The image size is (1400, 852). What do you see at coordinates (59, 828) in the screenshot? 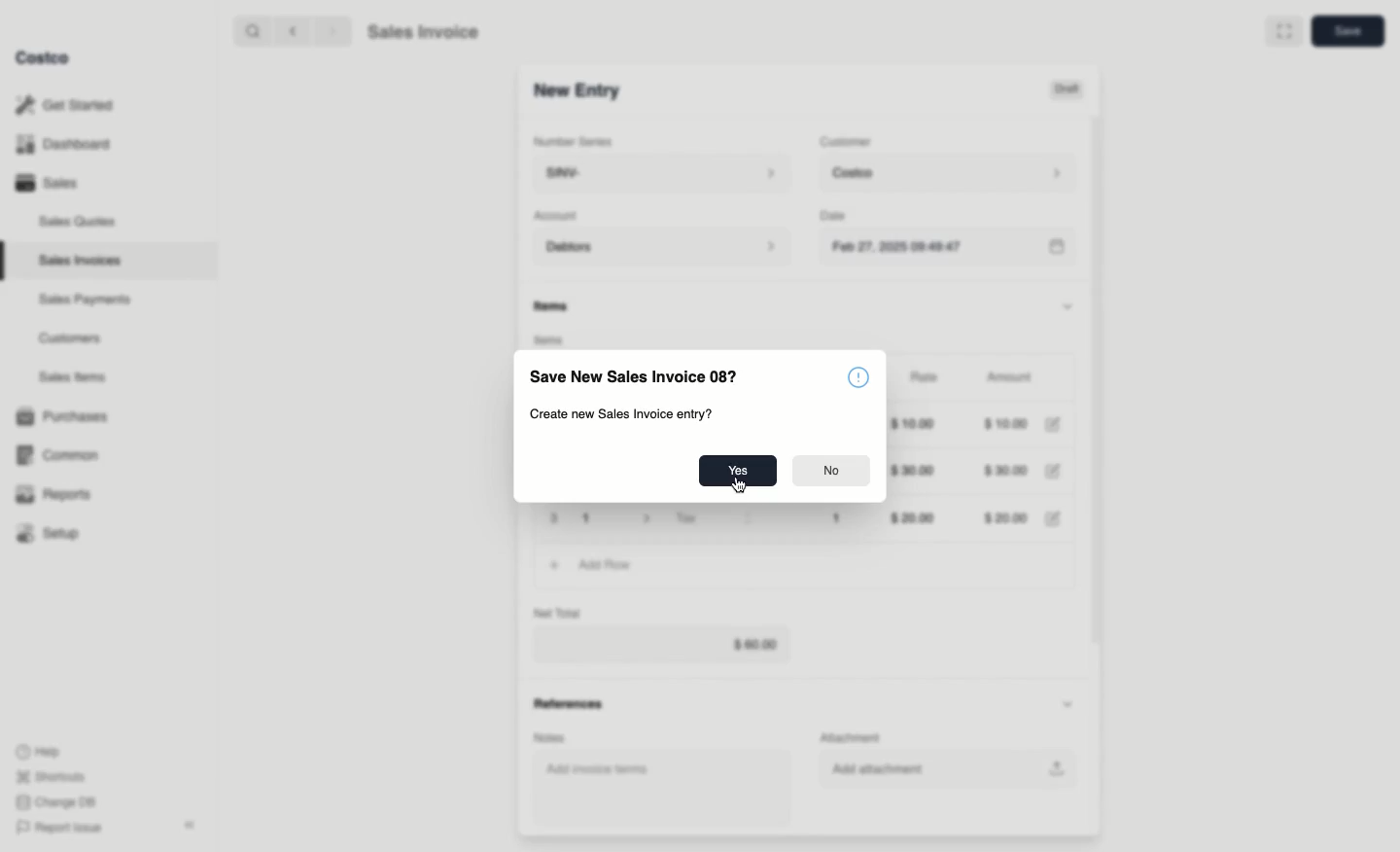
I see `Report Issue` at bounding box center [59, 828].